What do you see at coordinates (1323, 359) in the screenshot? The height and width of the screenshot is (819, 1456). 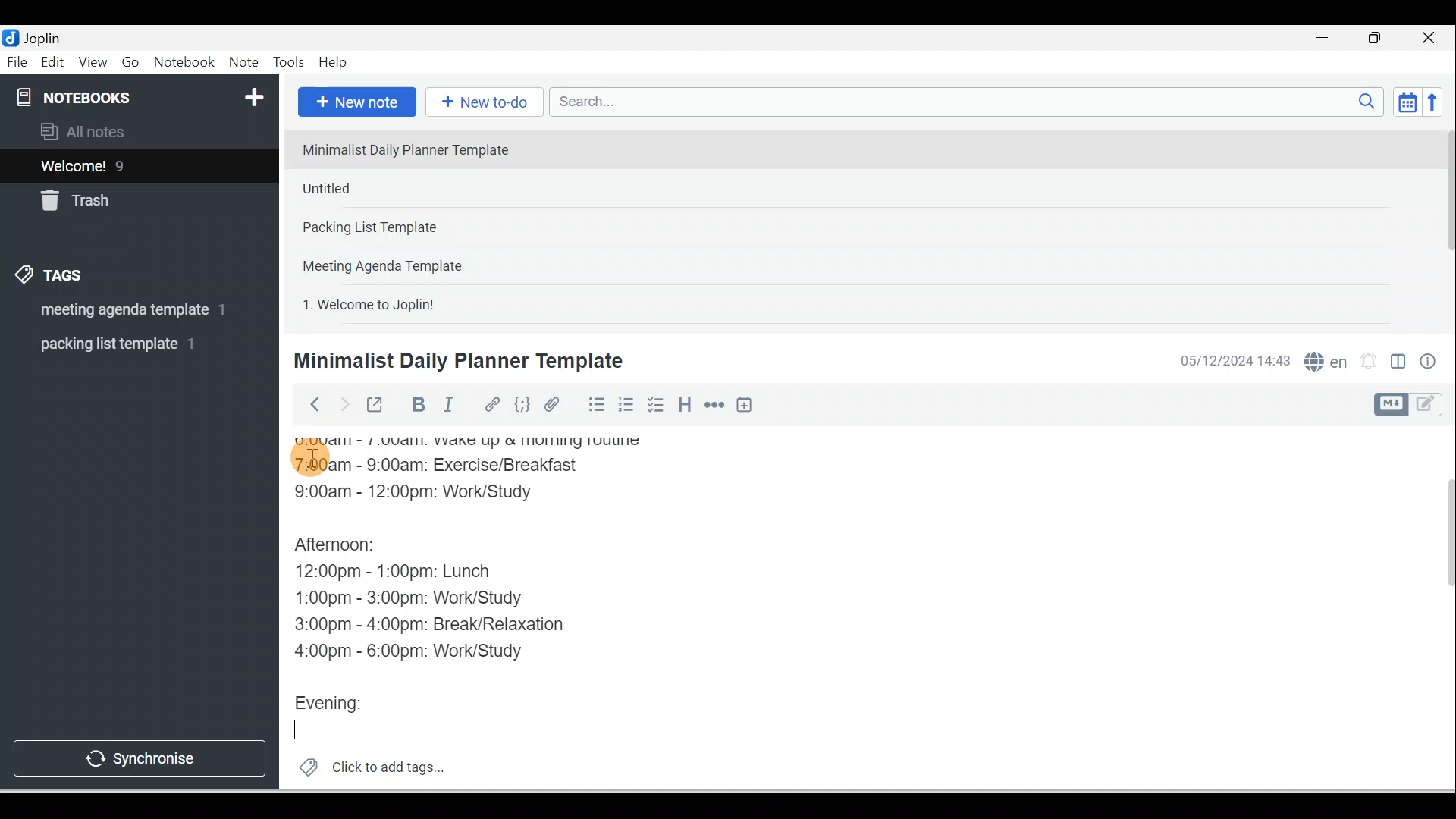 I see `Spelling` at bounding box center [1323, 359].